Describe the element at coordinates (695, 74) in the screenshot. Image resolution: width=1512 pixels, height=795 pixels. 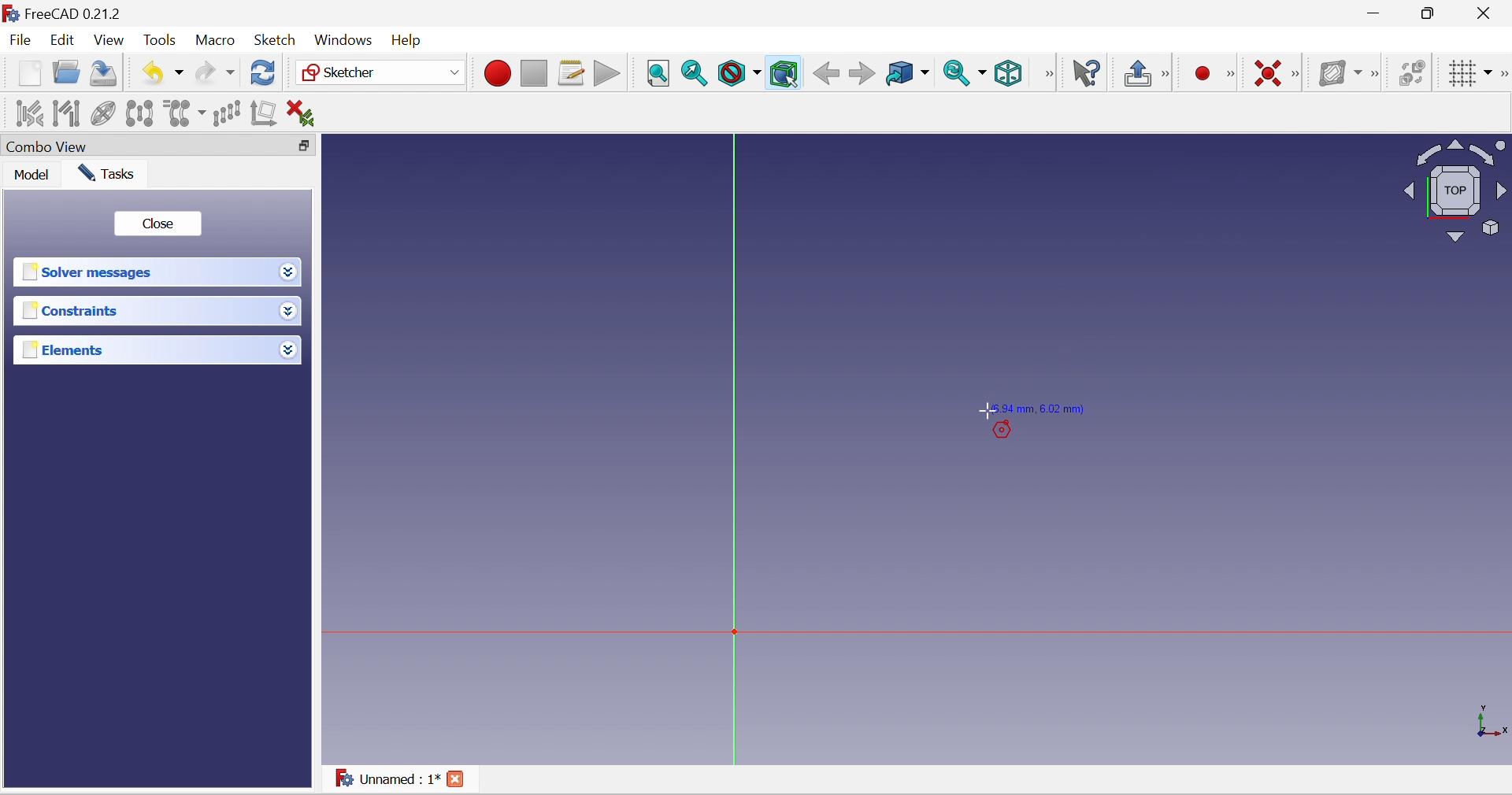
I see `Fit selection` at that location.